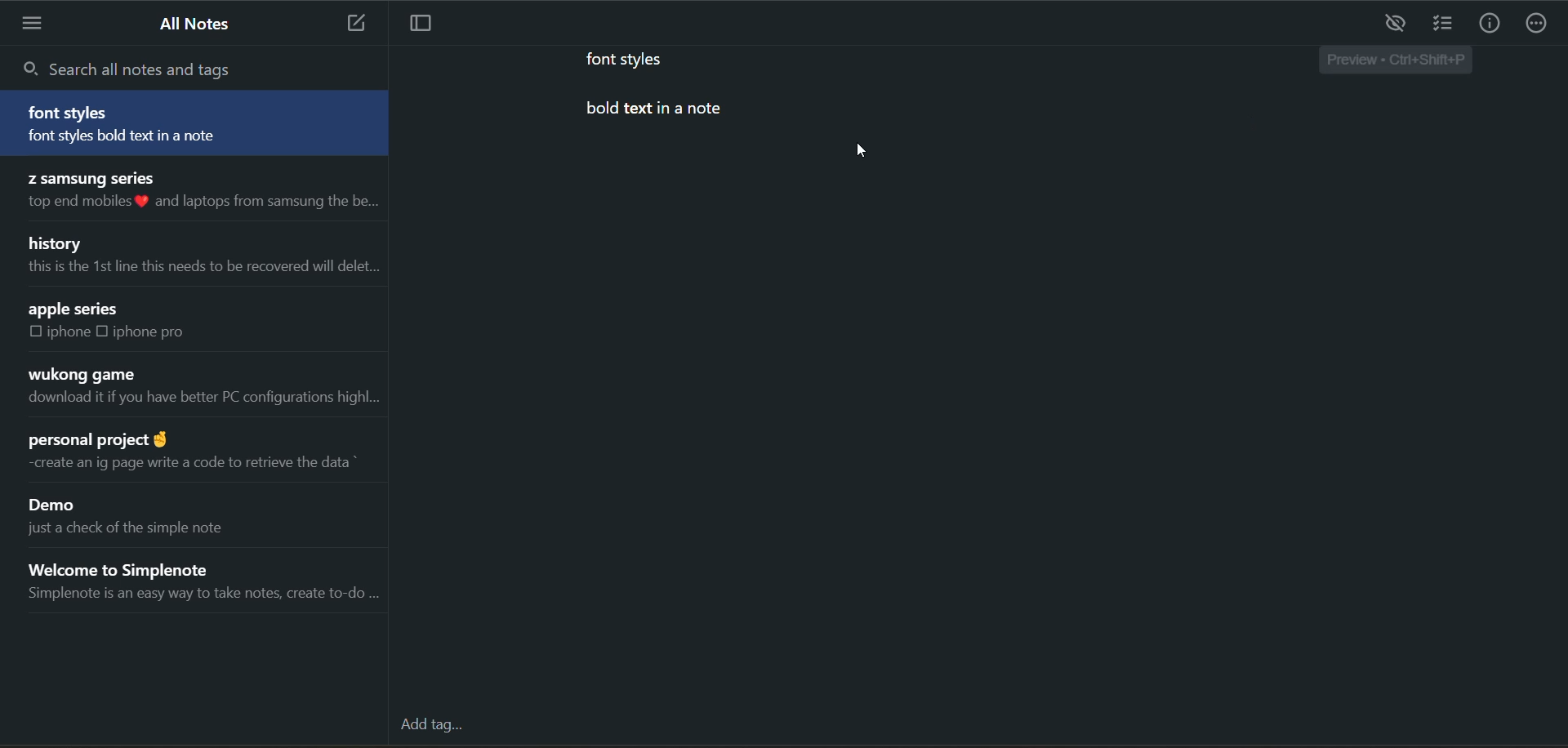  I want to click on apple series, so click(75, 309).